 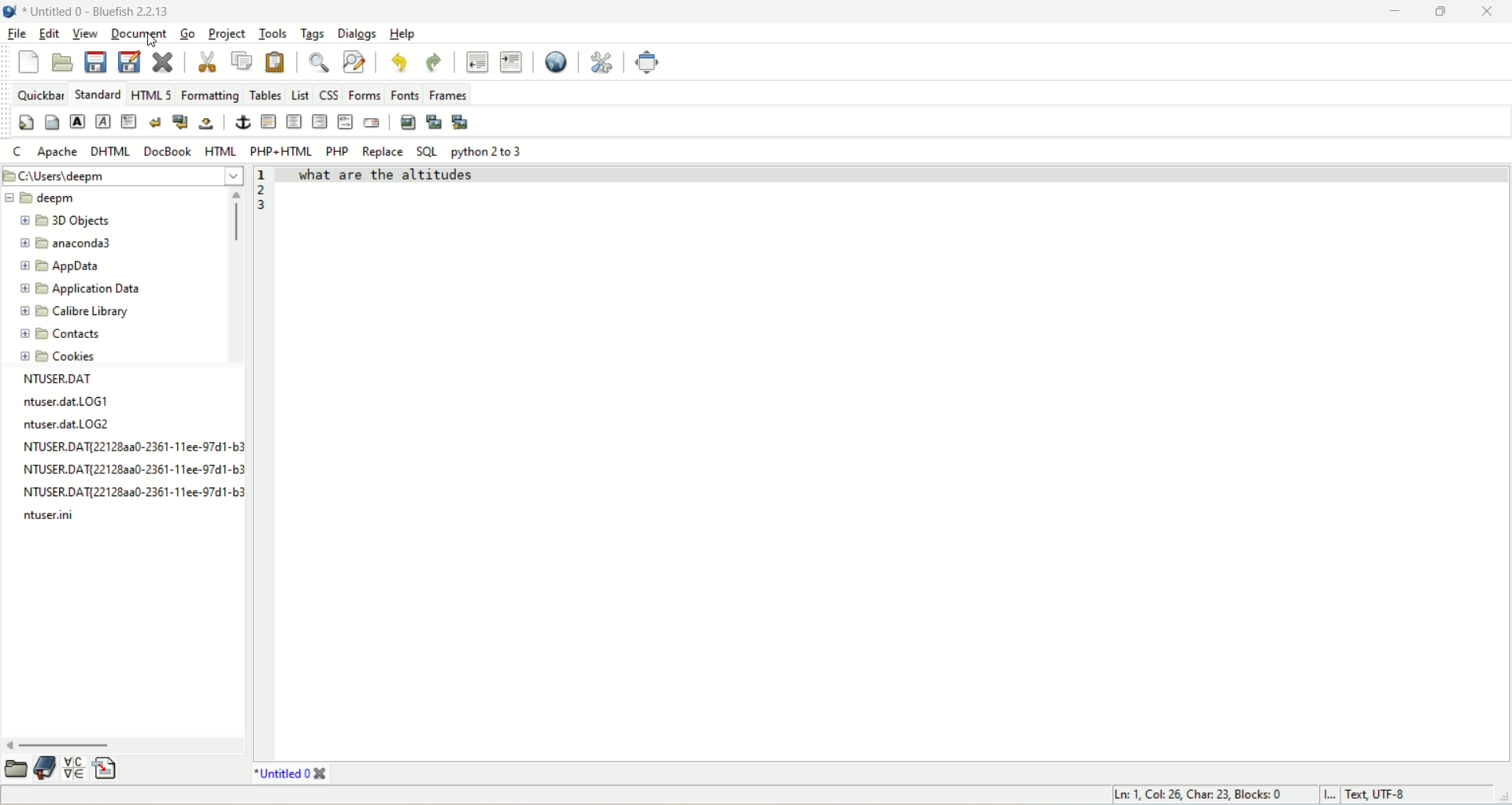 I want to click on REPLACE, so click(x=384, y=150).